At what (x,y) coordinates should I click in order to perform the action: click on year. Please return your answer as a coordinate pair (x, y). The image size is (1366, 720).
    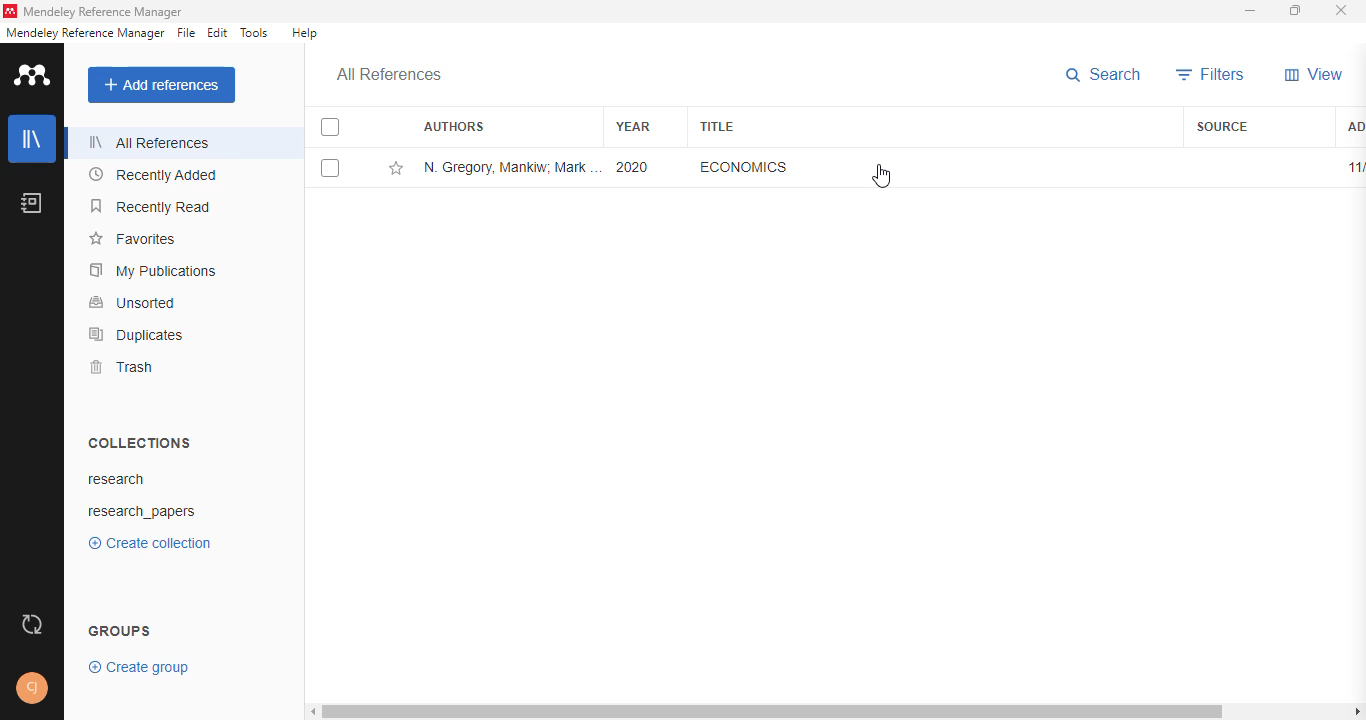
    Looking at the image, I should click on (640, 125).